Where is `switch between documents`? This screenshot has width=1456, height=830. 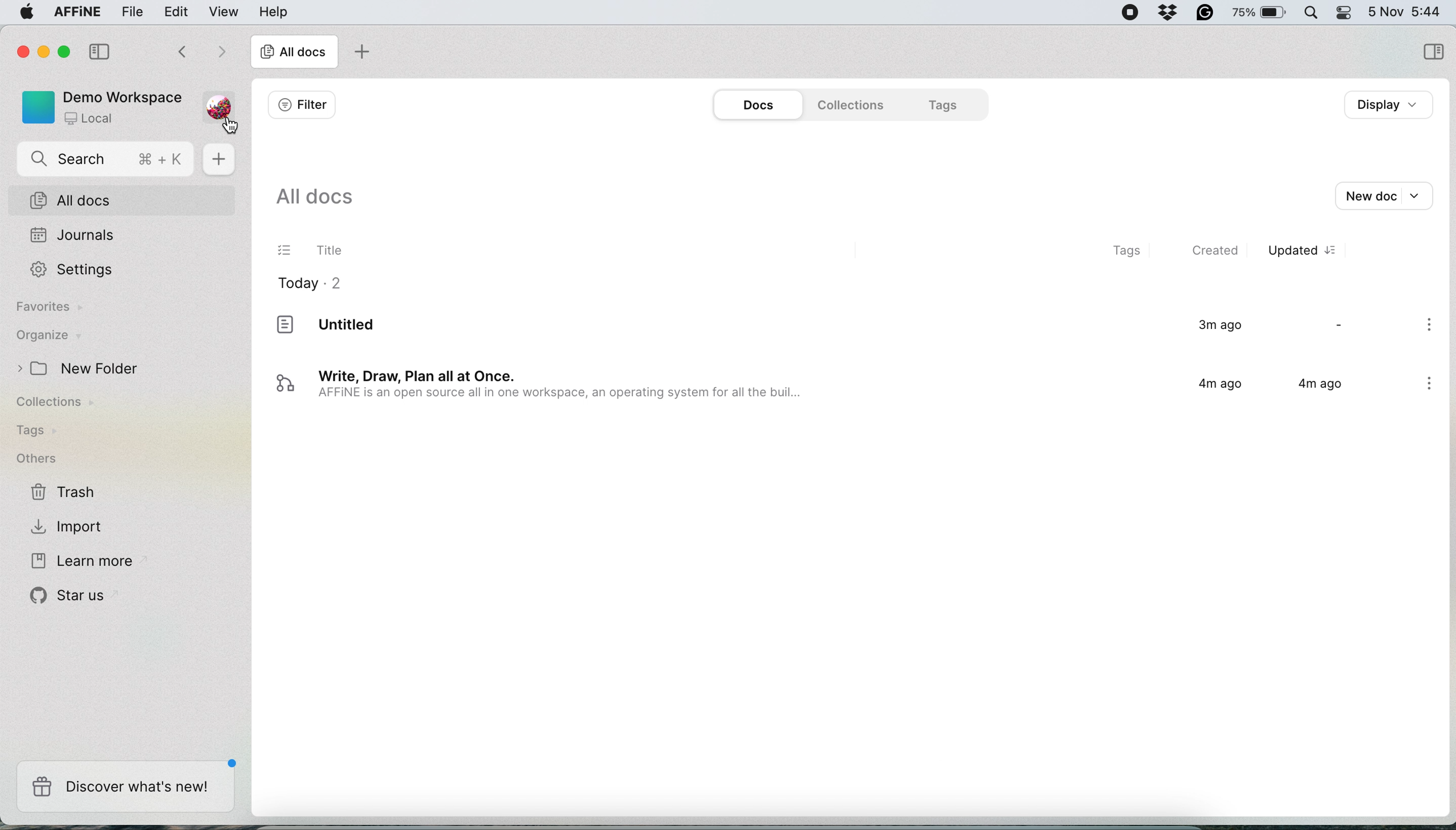
switch between documents is located at coordinates (199, 53).